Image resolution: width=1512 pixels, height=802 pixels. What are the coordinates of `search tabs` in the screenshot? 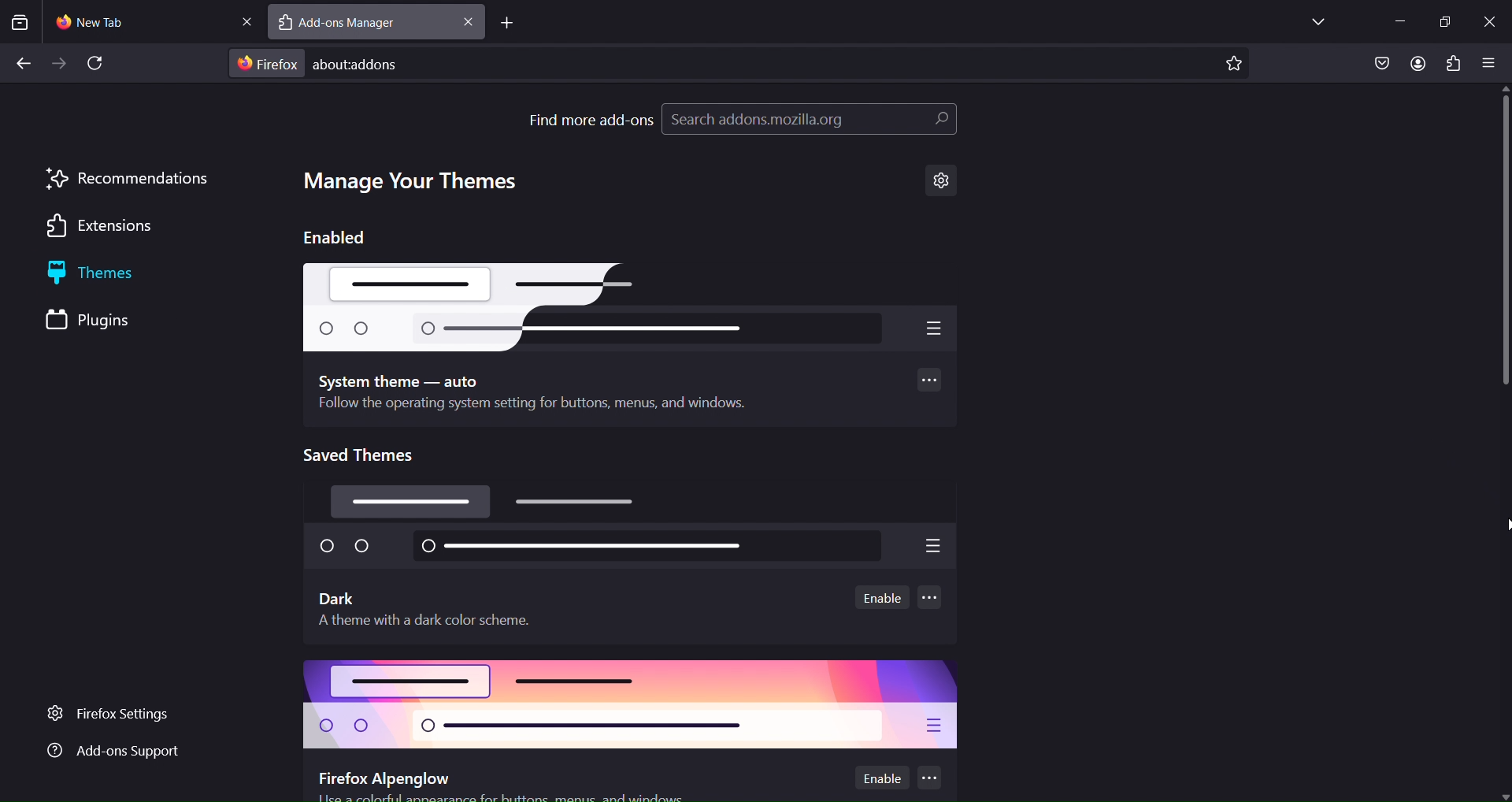 It's located at (20, 22).